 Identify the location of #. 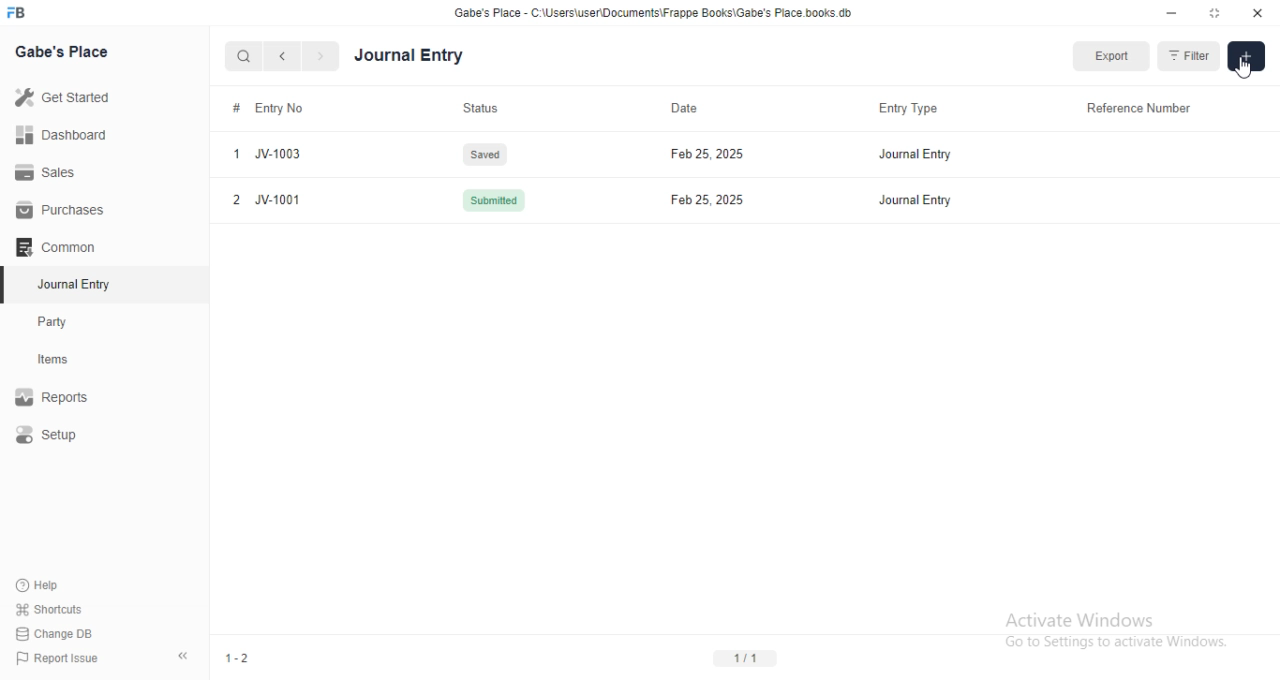
(233, 108).